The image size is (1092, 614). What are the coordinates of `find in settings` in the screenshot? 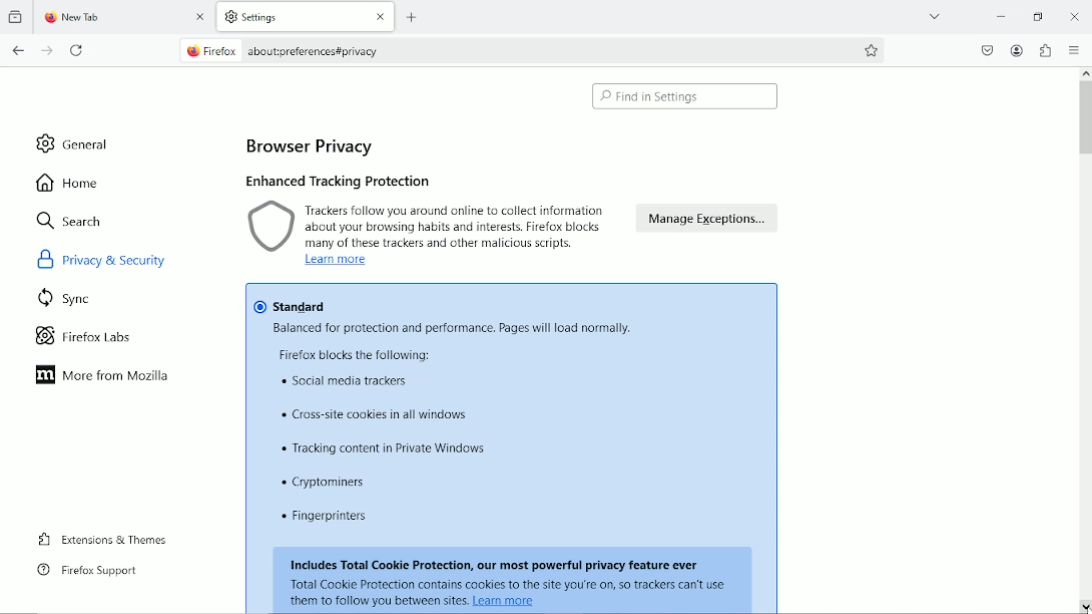 It's located at (687, 96).